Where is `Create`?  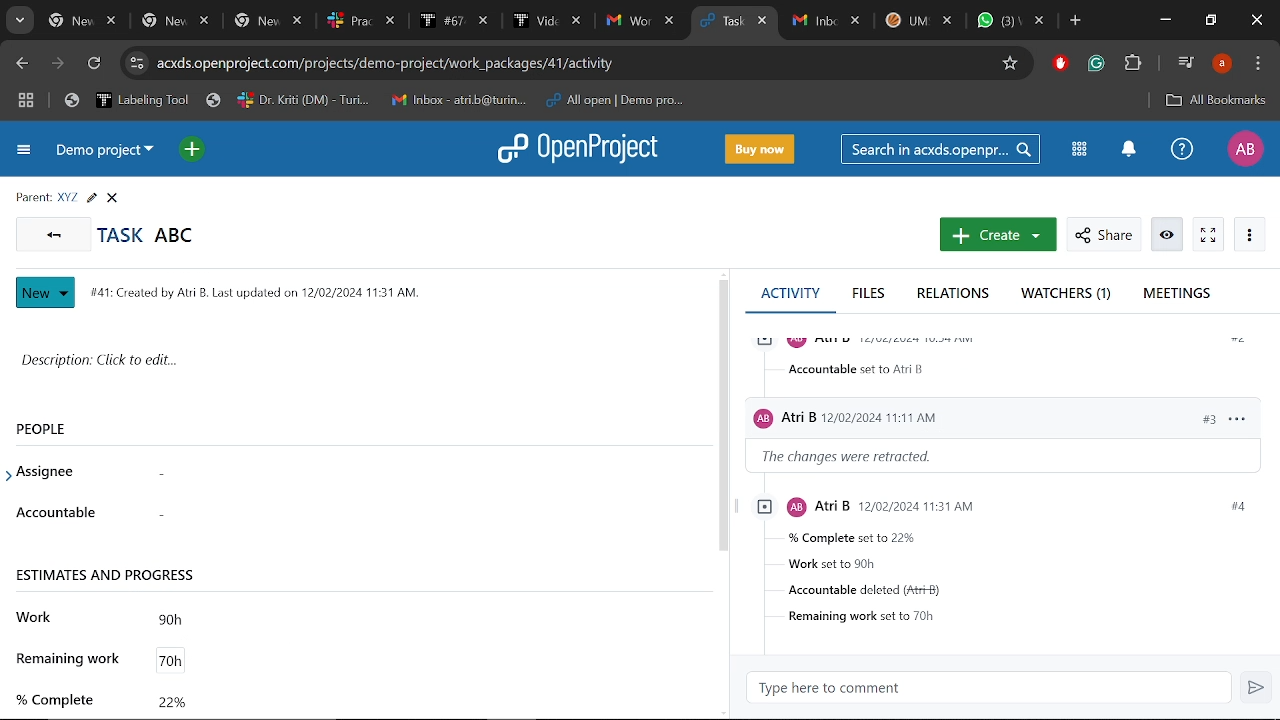
Create is located at coordinates (995, 236).